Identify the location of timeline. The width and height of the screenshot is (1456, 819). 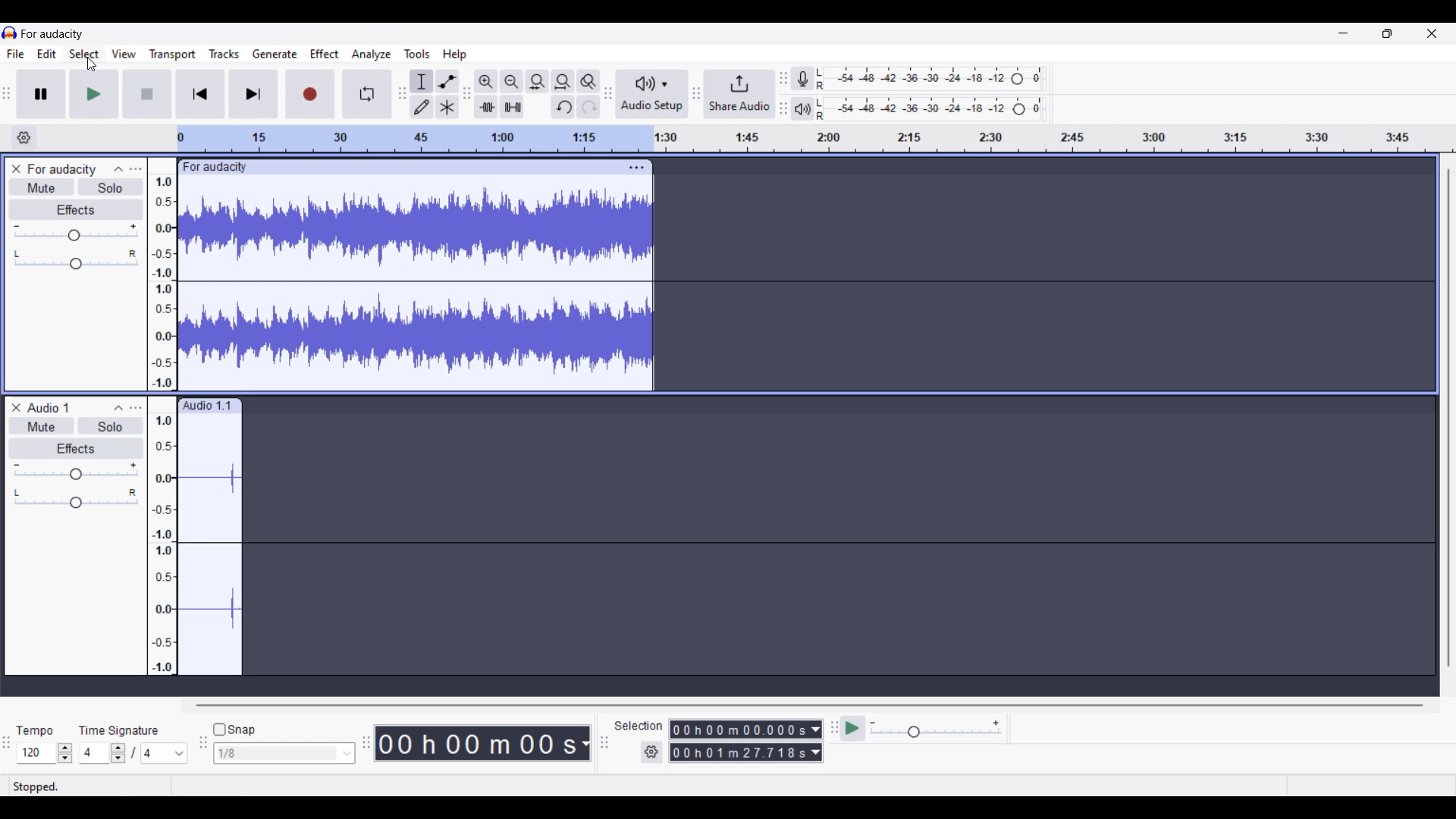
(816, 139).